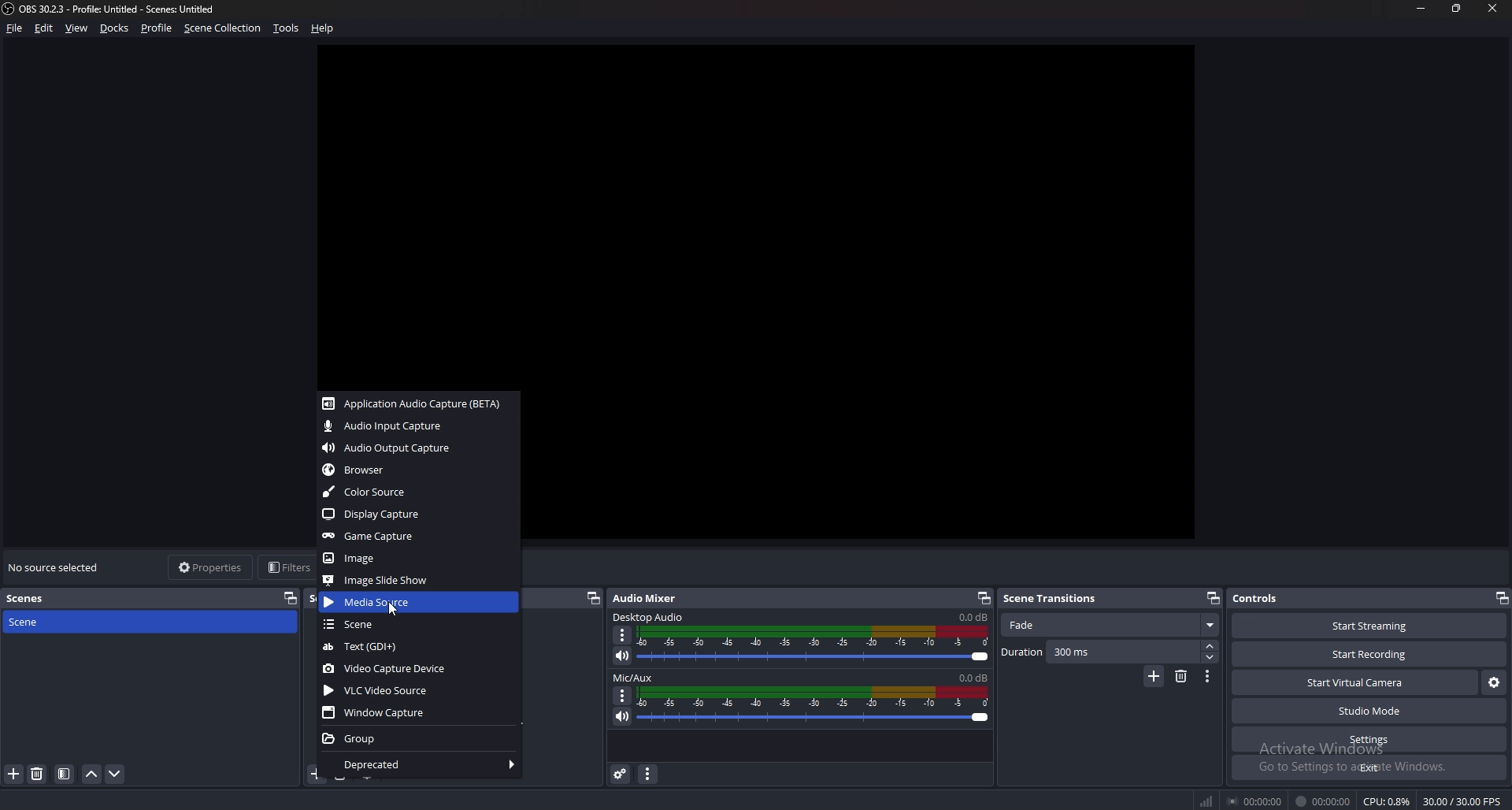 The width and height of the screenshot is (1512, 810). Describe the element at coordinates (592, 599) in the screenshot. I see `Pop out` at that location.